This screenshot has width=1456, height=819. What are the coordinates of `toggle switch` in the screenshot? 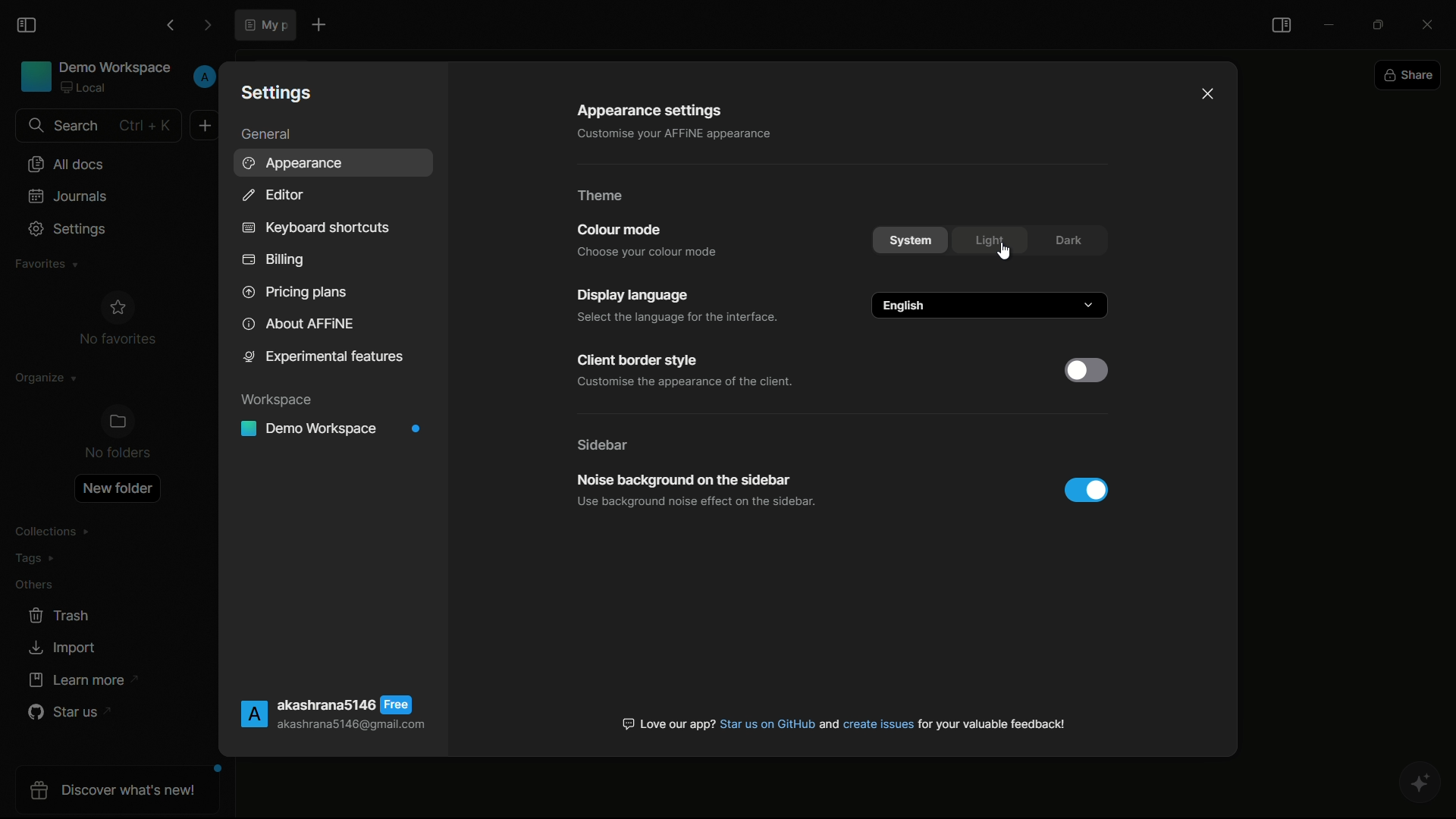 It's located at (1086, 370).